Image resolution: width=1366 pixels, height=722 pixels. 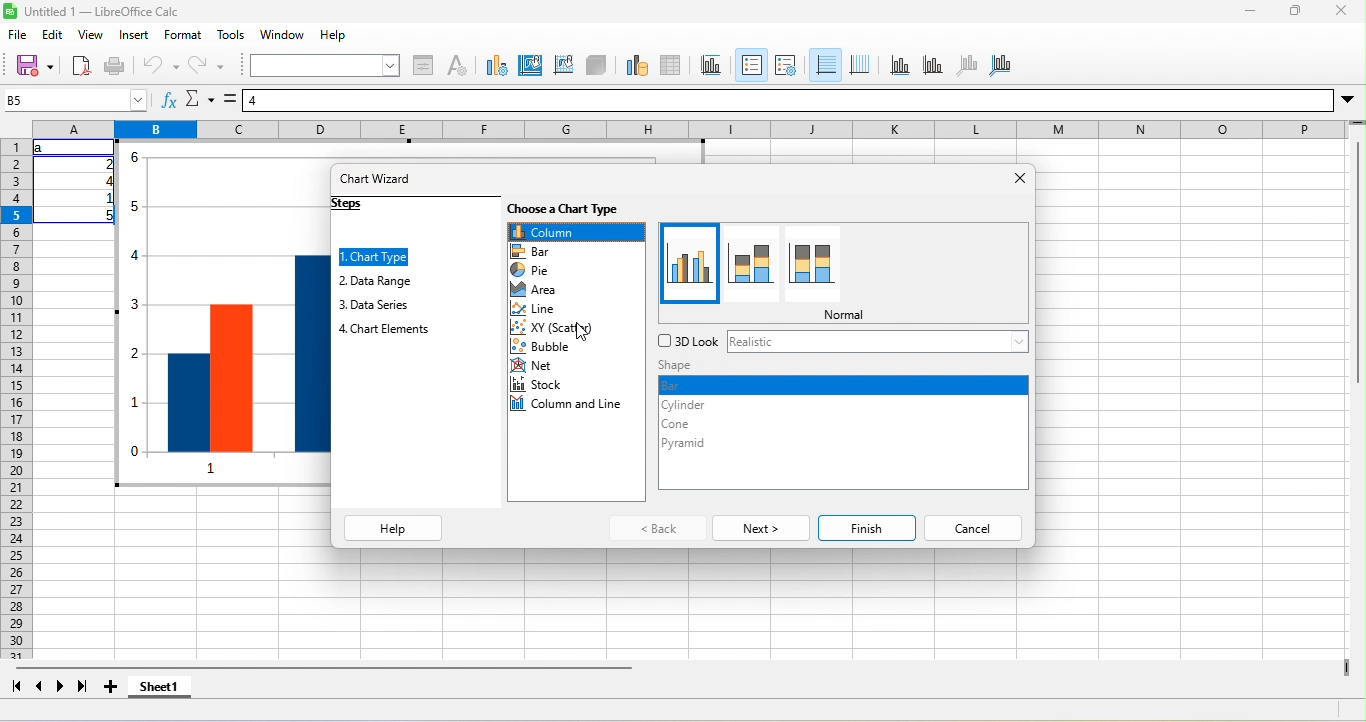 What do you see at coordinates (81, 66) in the screenshot?
I see `export directly as pdf` at bounding box center [81, 66].